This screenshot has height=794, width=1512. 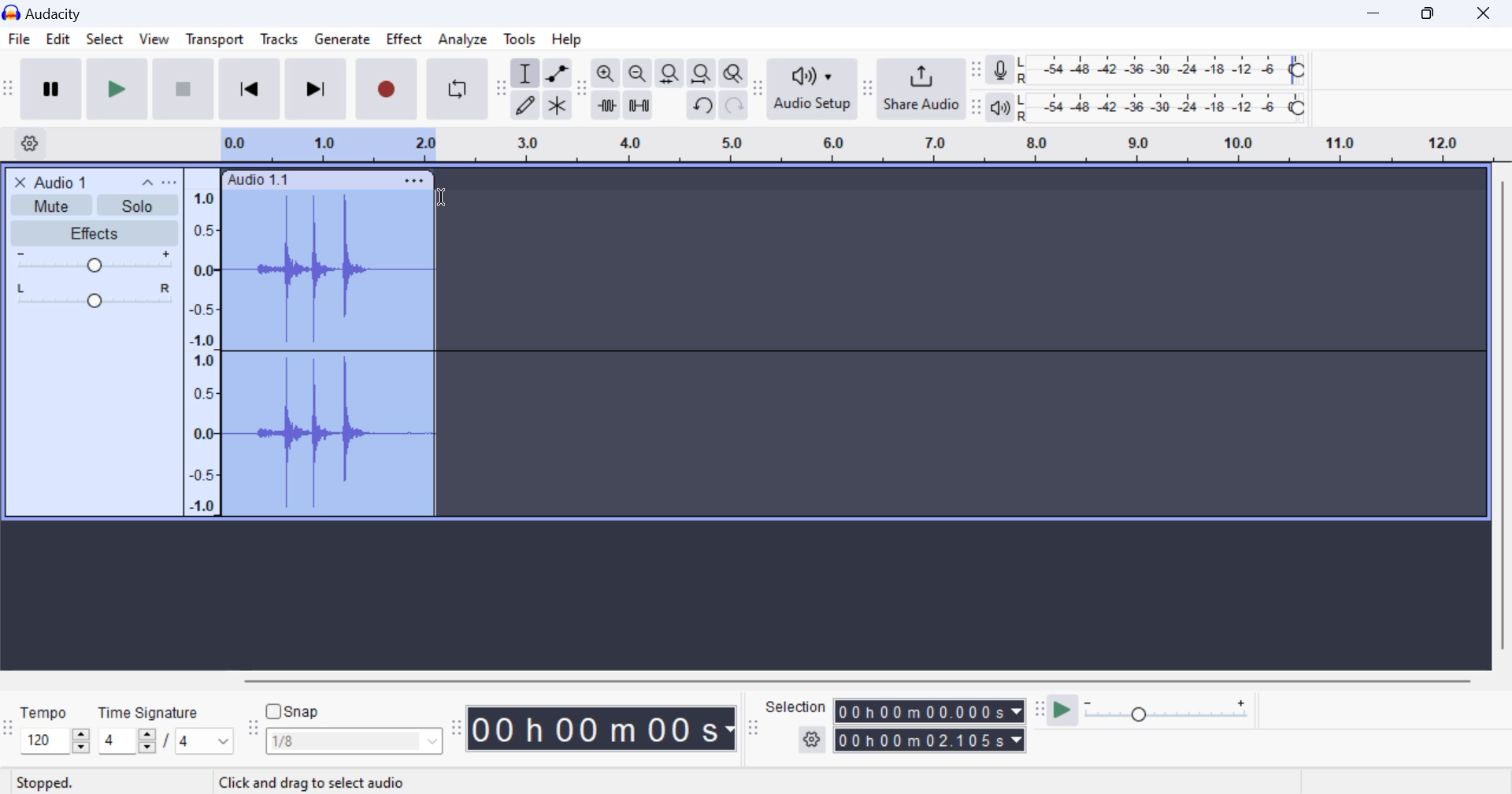 I want to click on Scale to measure intensity of waves in track, so click(x=201, y=349).